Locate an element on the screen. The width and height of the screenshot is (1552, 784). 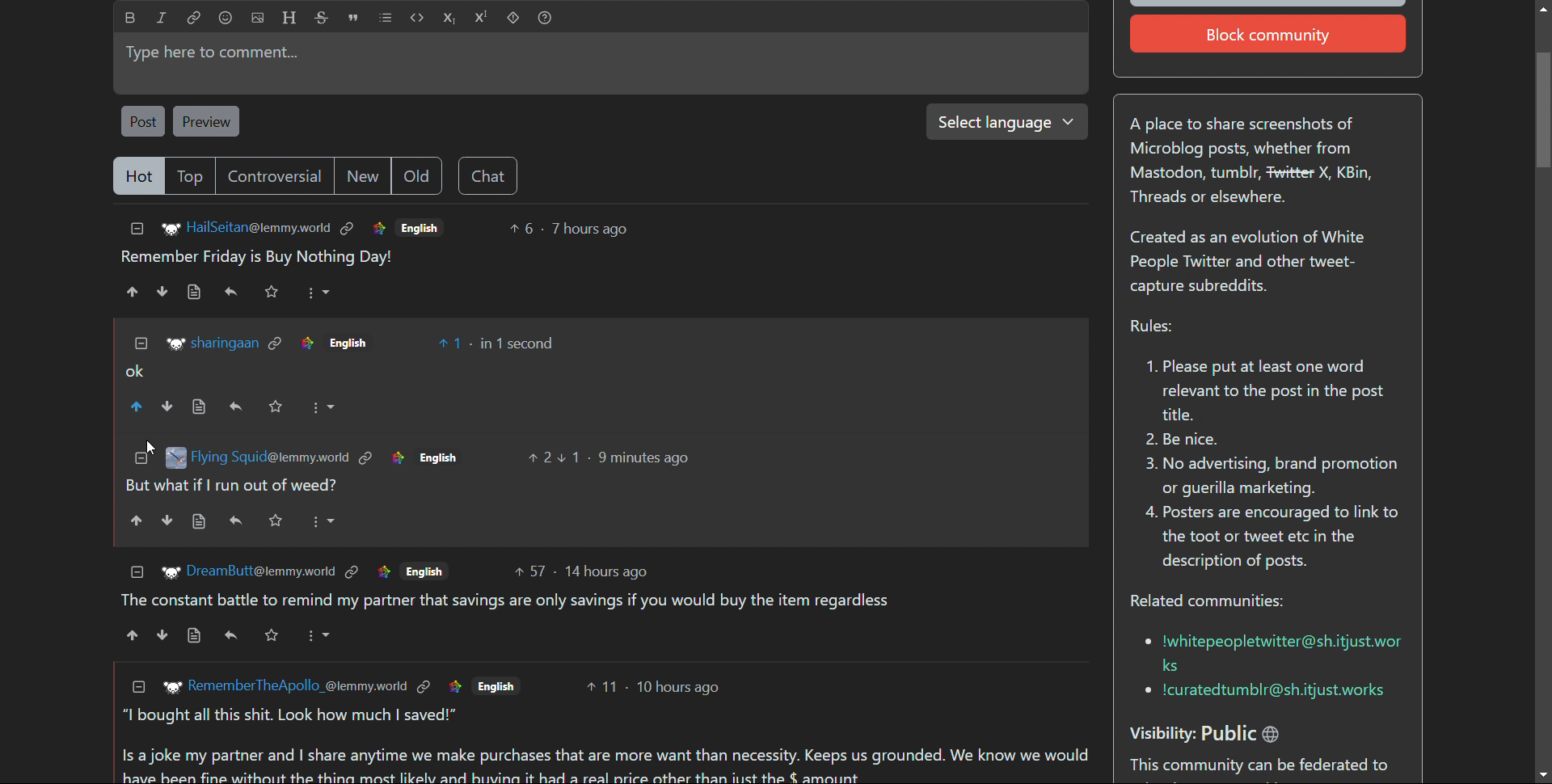
old is located at coordinates (416, 176).